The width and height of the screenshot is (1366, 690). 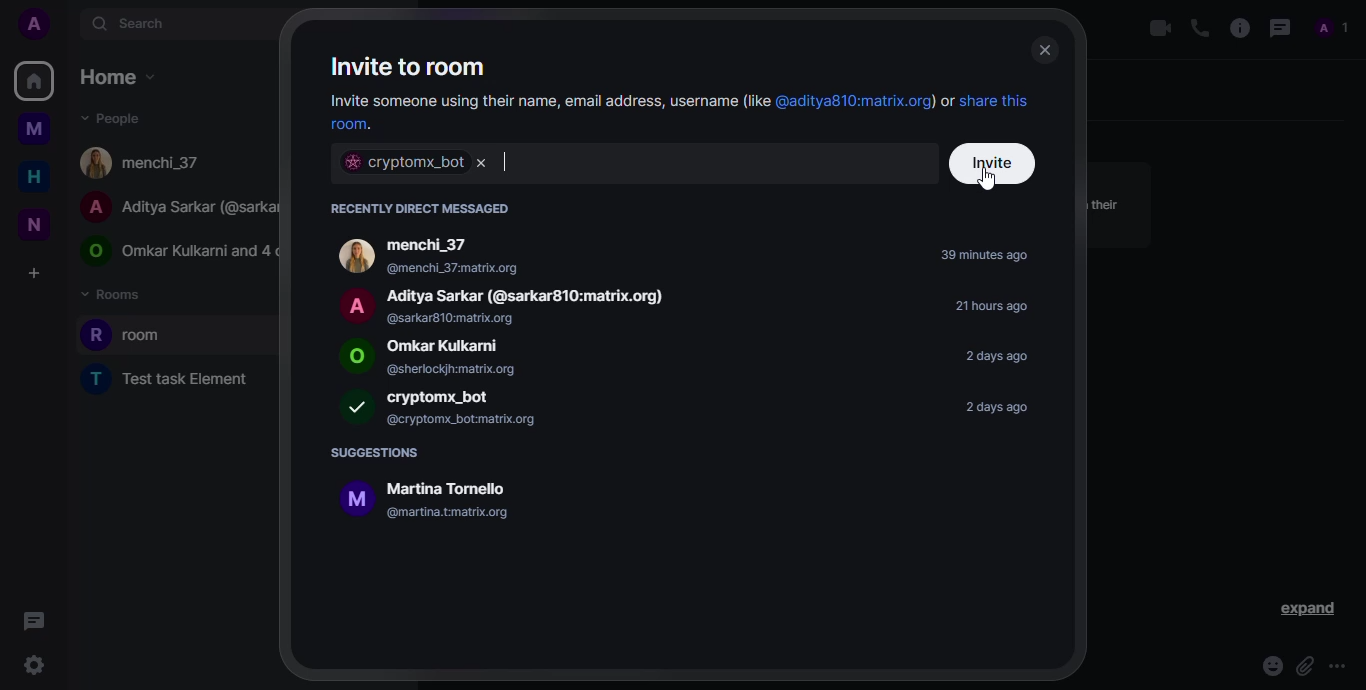 I want to click on PROFiLE, so click(x=1333, y=25).